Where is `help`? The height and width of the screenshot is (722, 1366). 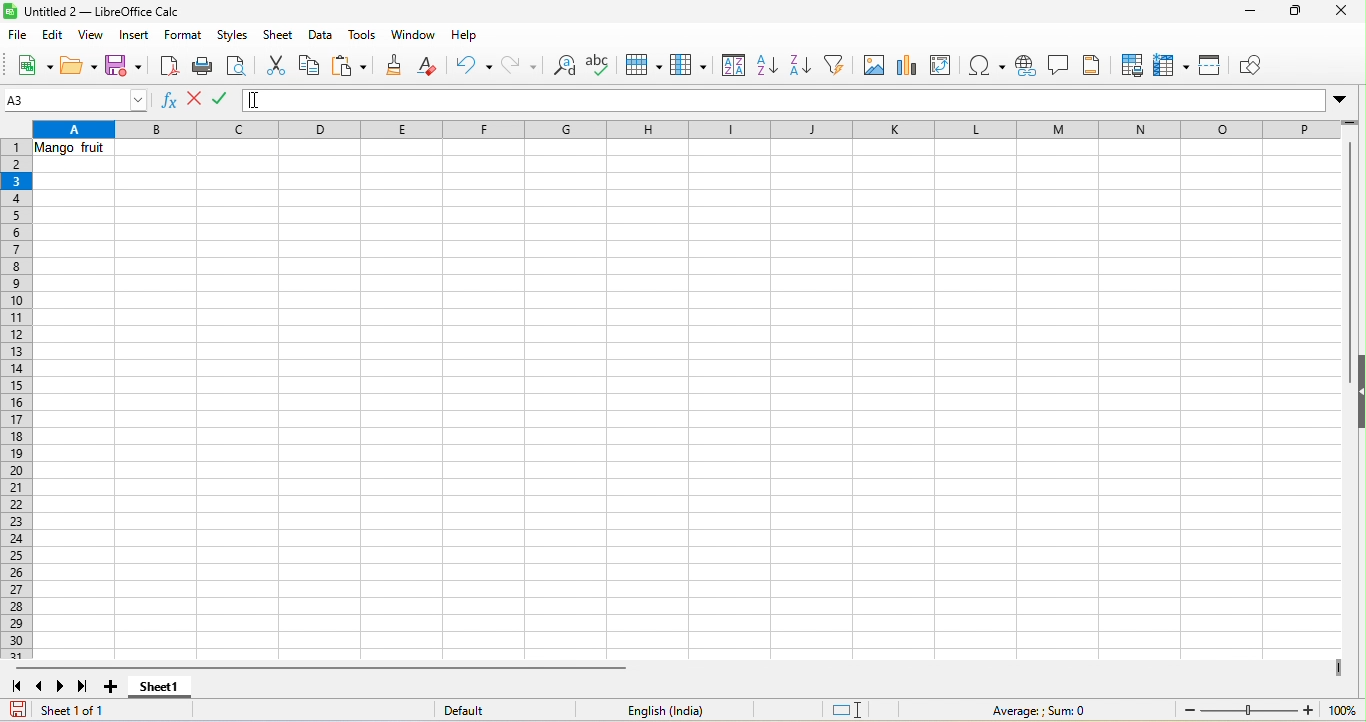
help is located at coordinates (465, 39).